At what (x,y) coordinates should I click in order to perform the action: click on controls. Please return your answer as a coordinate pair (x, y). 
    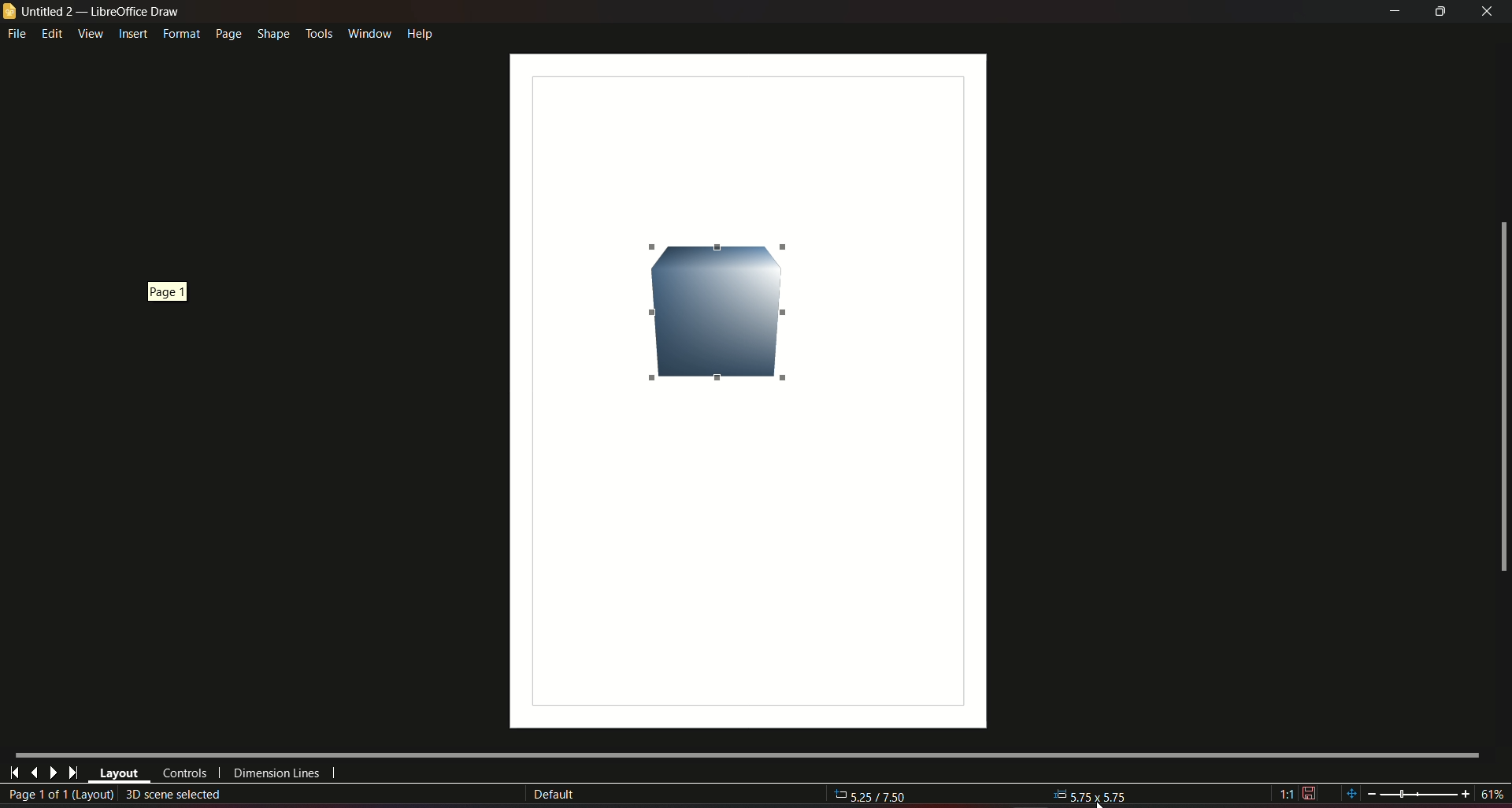
    Looking at the image, I should click on (183, 773).